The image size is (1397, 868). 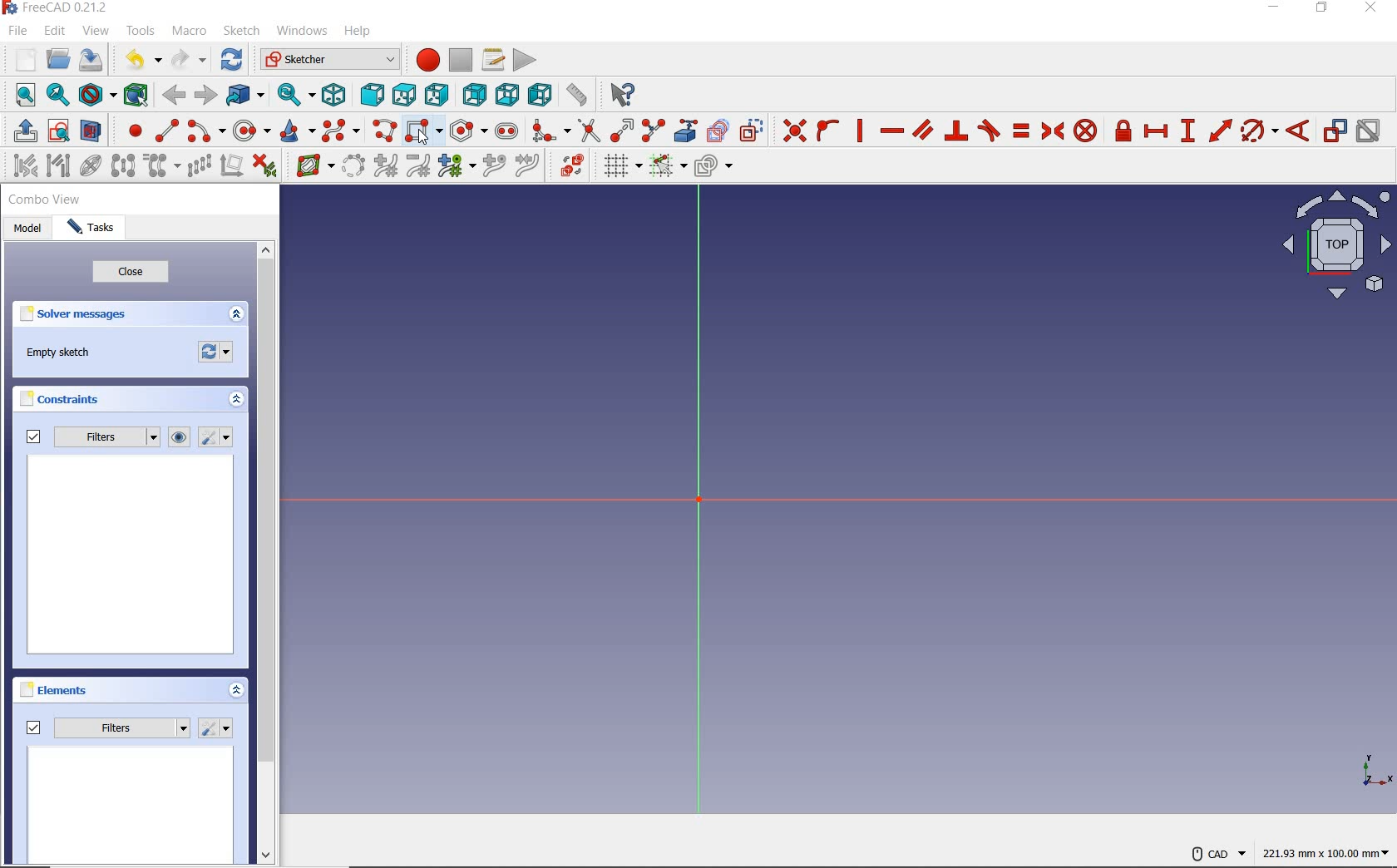 What do you see at coordinates (244, 96) in the screenshot?
I see `go to linked object` at bounding box center [244, 96].